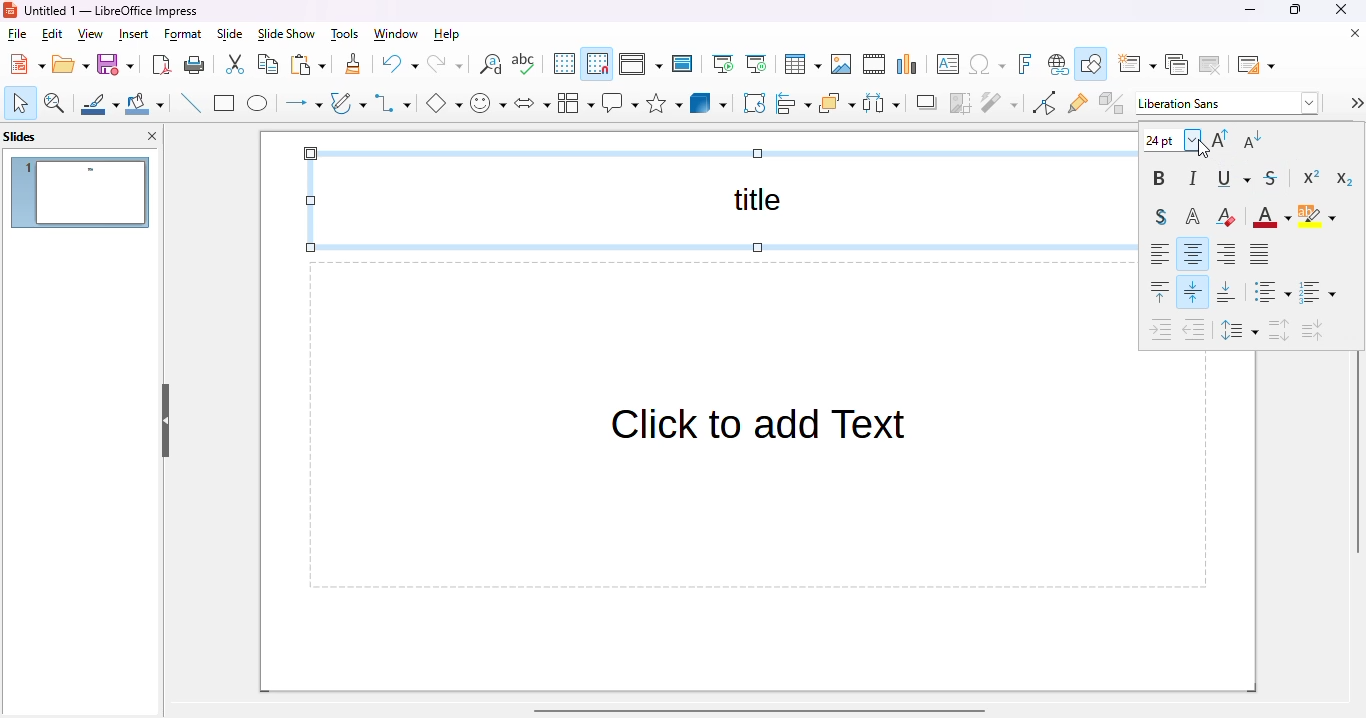 The height and width of the screenshot is (718, 1366). I want to click on insert image, so click(841, 64).